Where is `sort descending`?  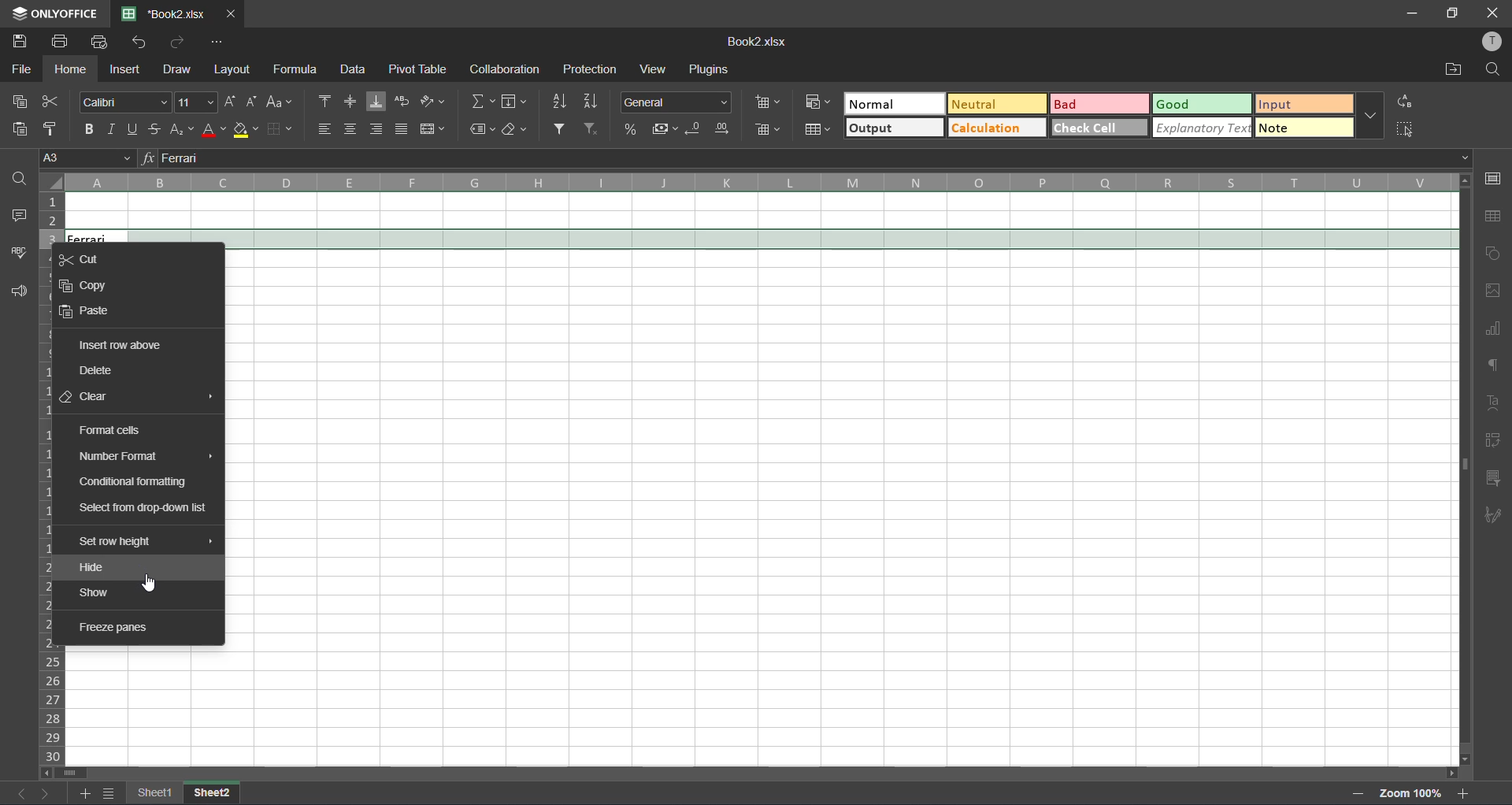 sort descending is located at coordinates (593, 101).